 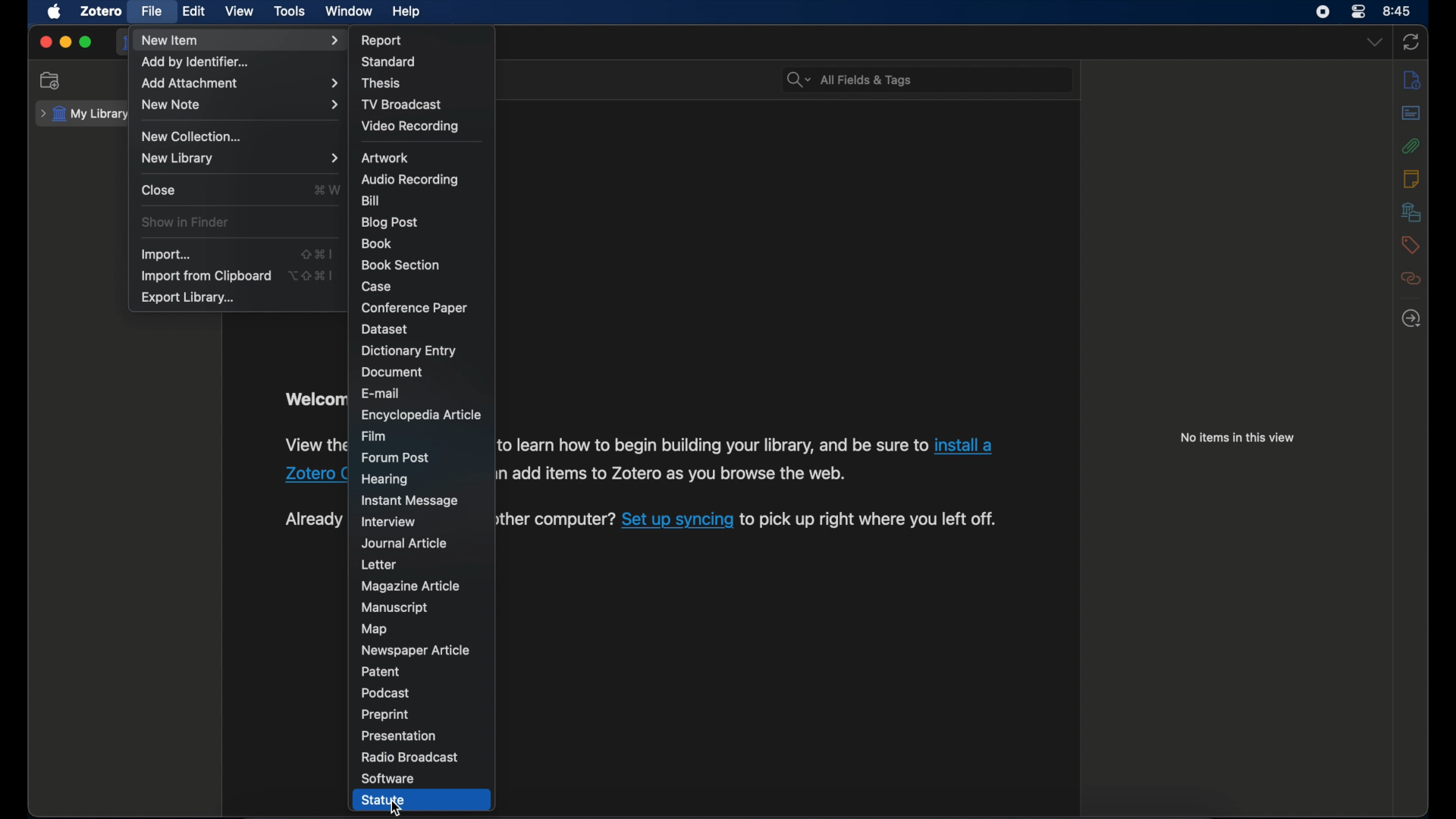 What do you see at coordinates (393, 607) in the screenshot?
I see `manuscript` at bounding box center [393, 607].